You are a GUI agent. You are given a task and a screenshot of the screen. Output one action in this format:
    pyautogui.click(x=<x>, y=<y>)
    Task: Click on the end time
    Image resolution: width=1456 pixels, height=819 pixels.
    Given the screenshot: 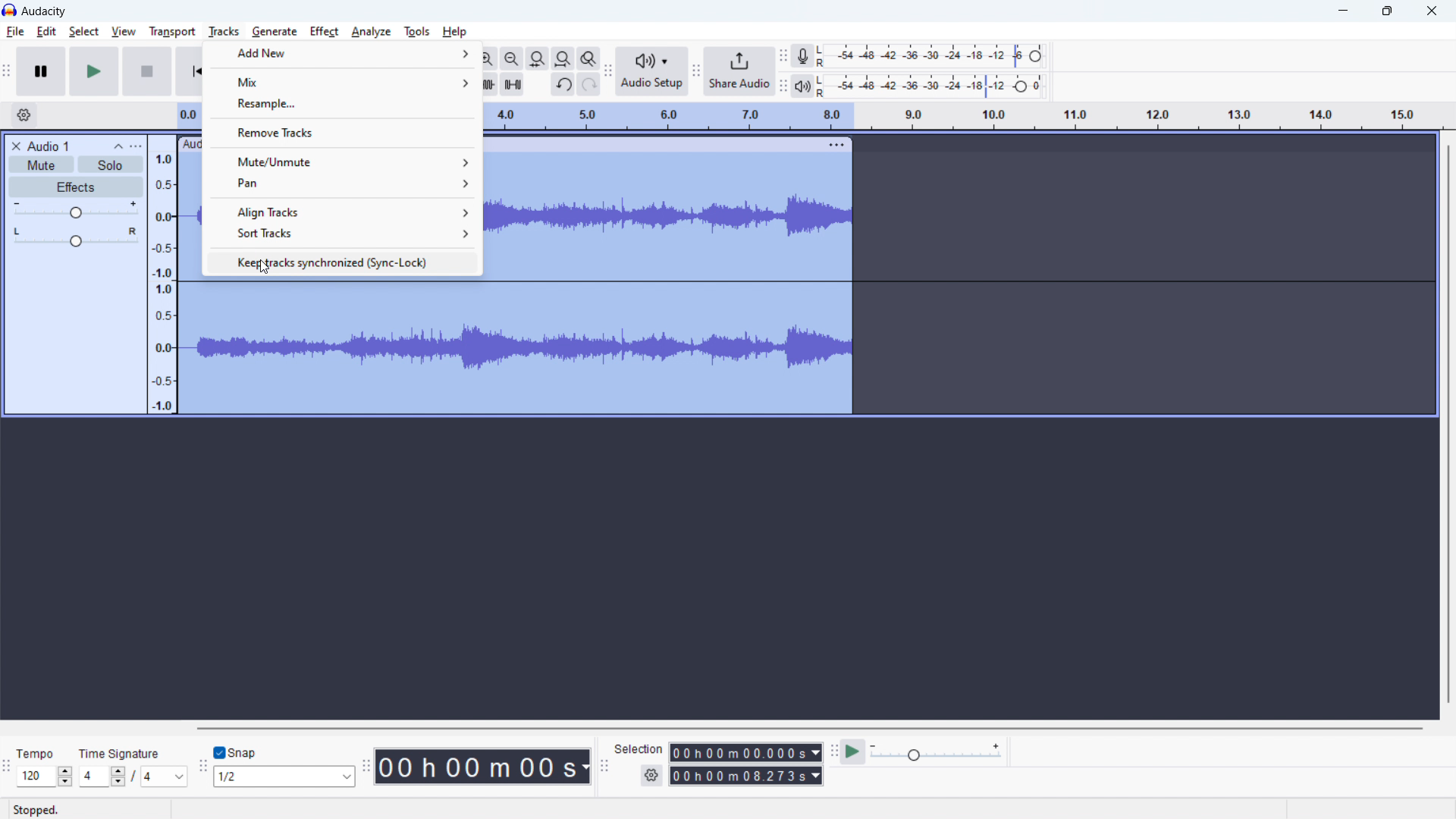 What is the action you would take?
    pyautogui.click(x=745, y=776)
    